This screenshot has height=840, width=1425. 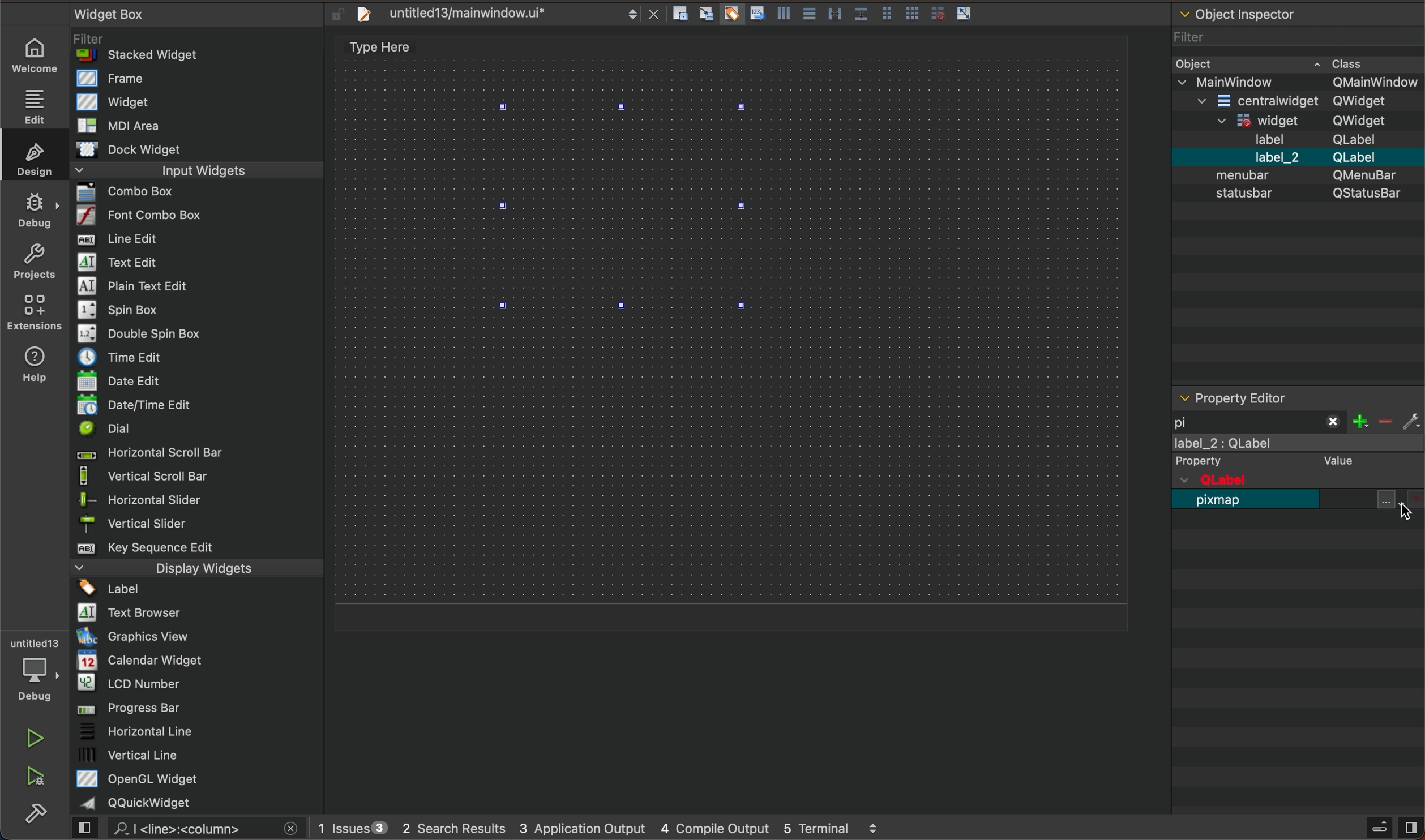 What do you see at coordinates (43, 818) in the screenshot?
I see `build` at bounding box center [43, 818].